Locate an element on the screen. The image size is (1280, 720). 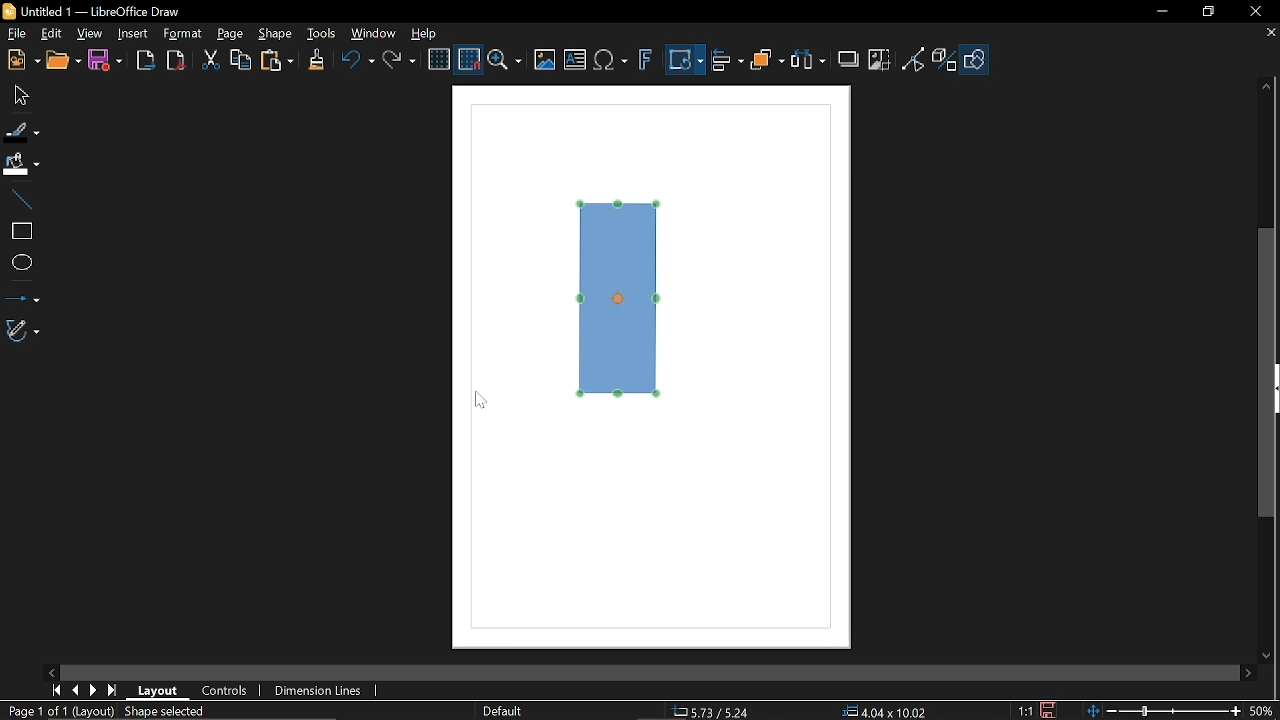
Minimize is located at coordinates (1159, 12).